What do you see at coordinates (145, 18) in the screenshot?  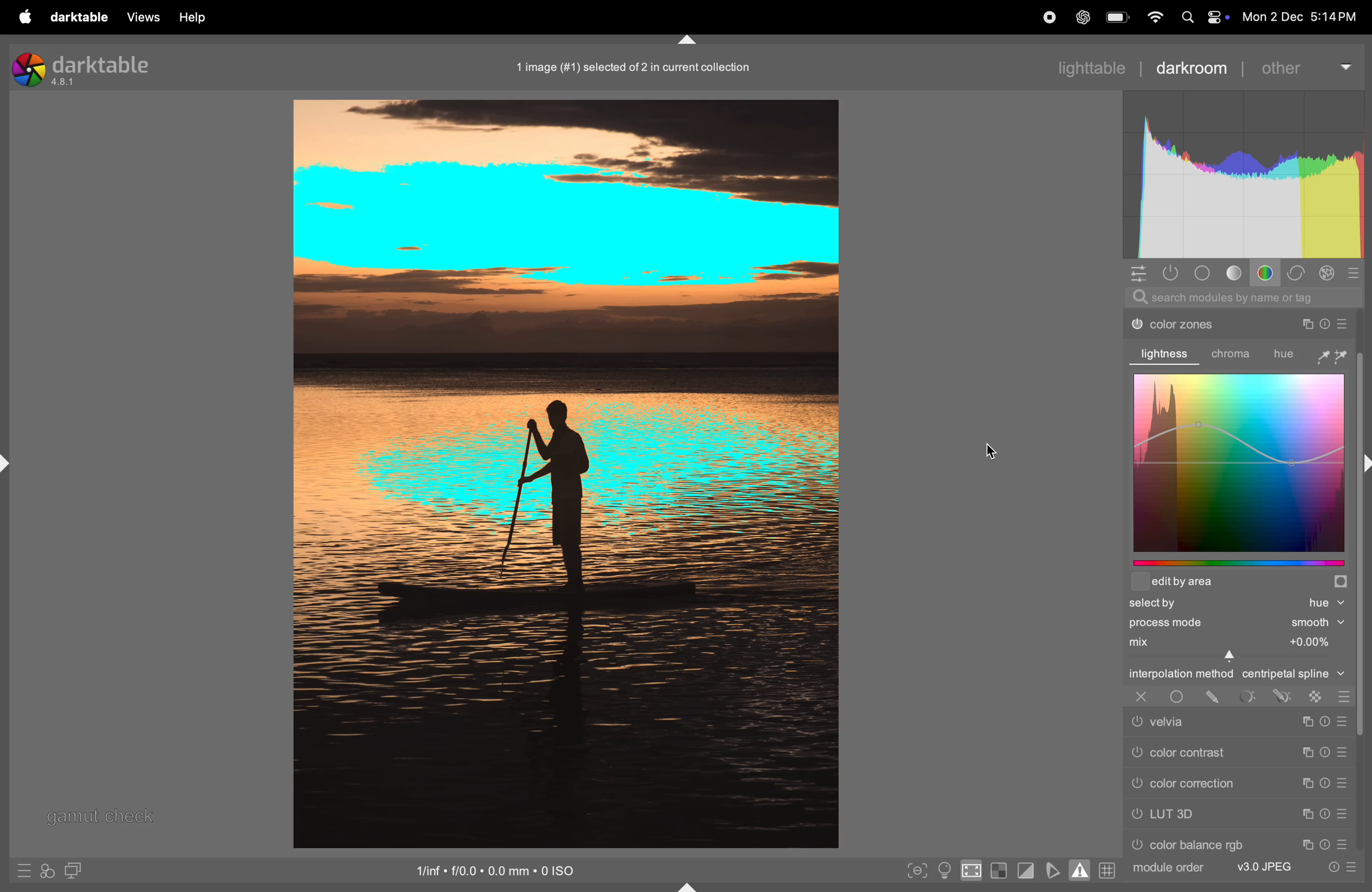 I see `views` at bounding box center [145, 18].